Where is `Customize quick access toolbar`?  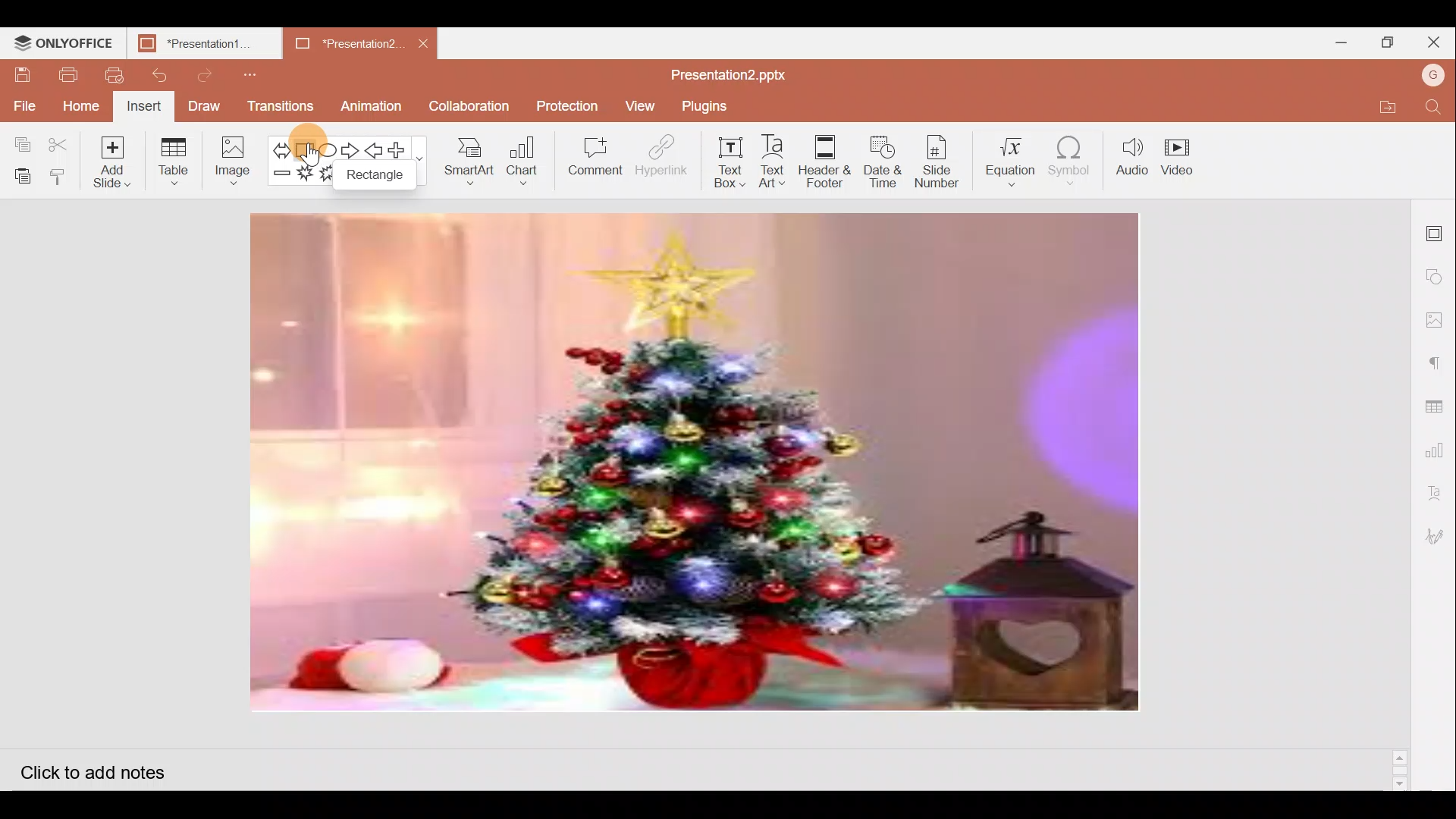
Customize quick access toolbar is located at coordinates (250, 75).